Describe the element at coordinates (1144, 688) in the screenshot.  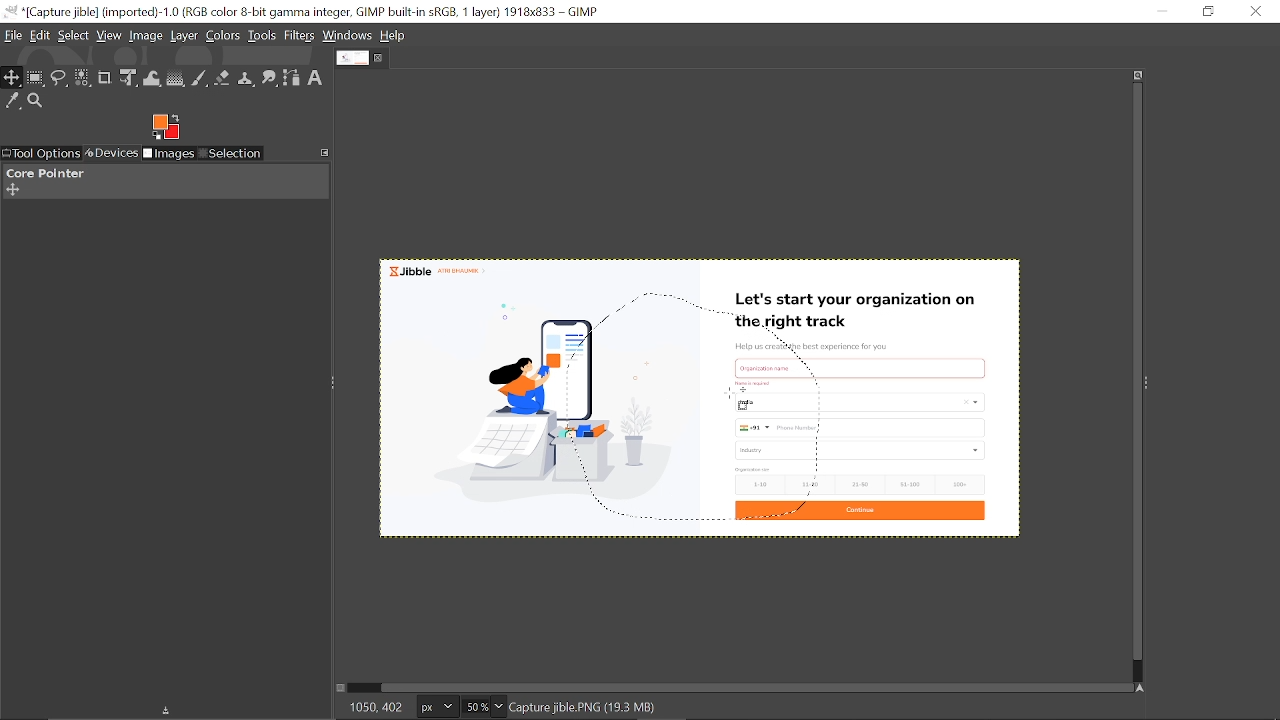
I see `Navigate this window` at that location.